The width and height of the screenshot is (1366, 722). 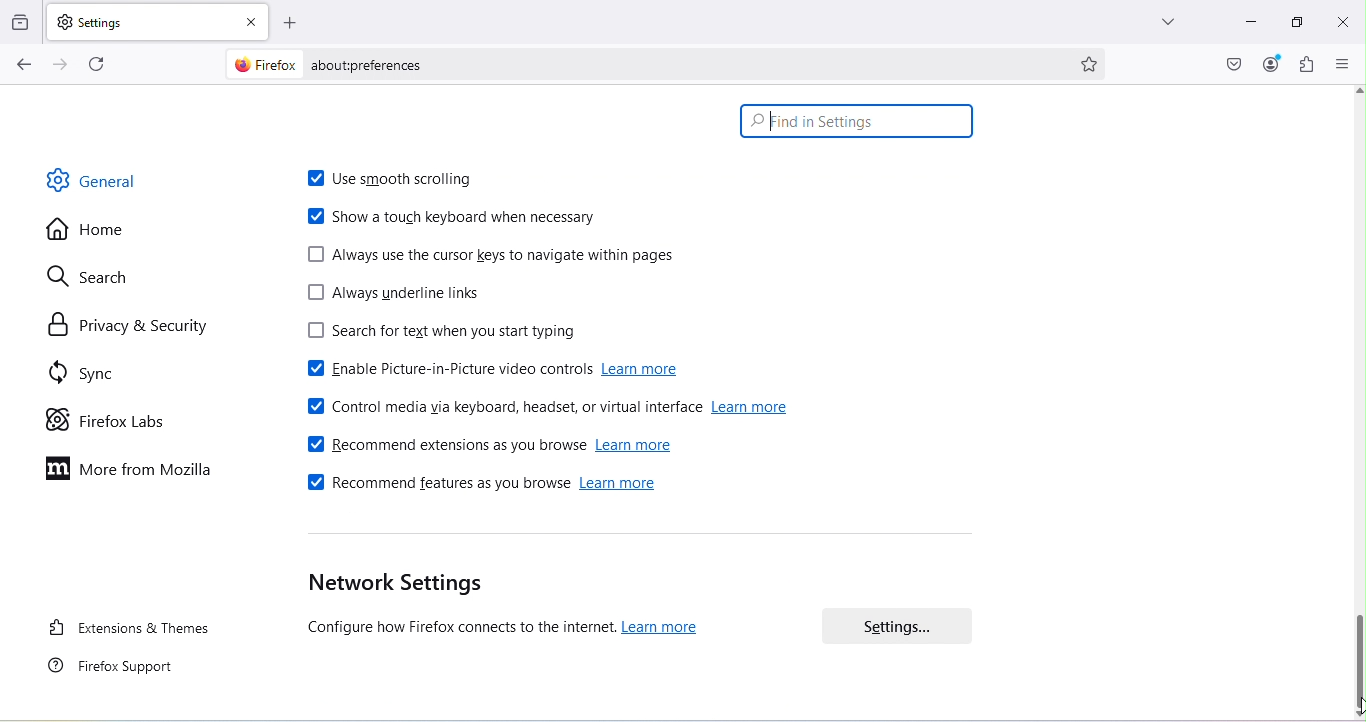 I want to click on Show a touch keyboard when necessary, so click(x=455, y=217).